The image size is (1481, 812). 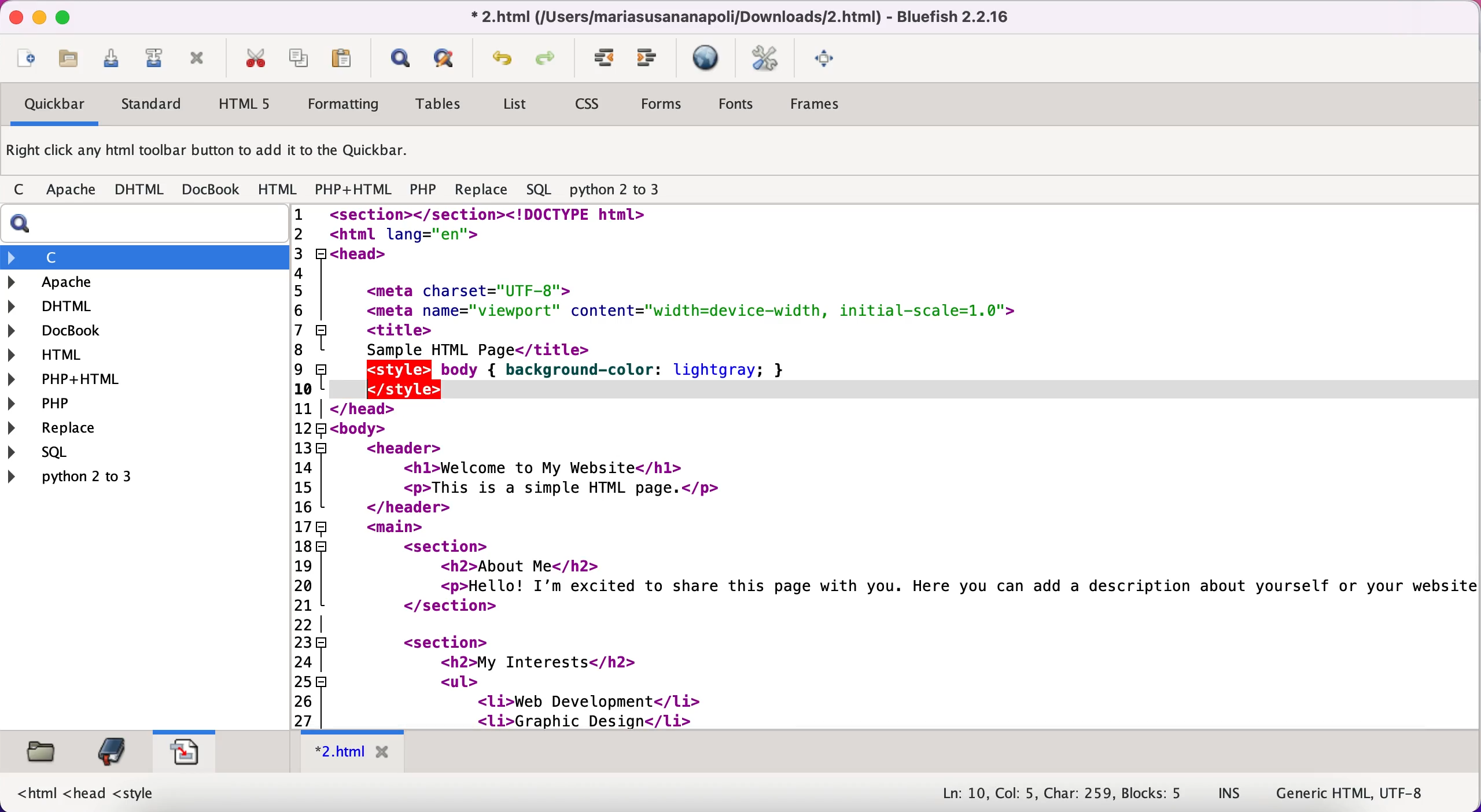 What do you see at coordinates (818, 104) in the screenshot?
I see `frames` at bounding box center [818, 104].